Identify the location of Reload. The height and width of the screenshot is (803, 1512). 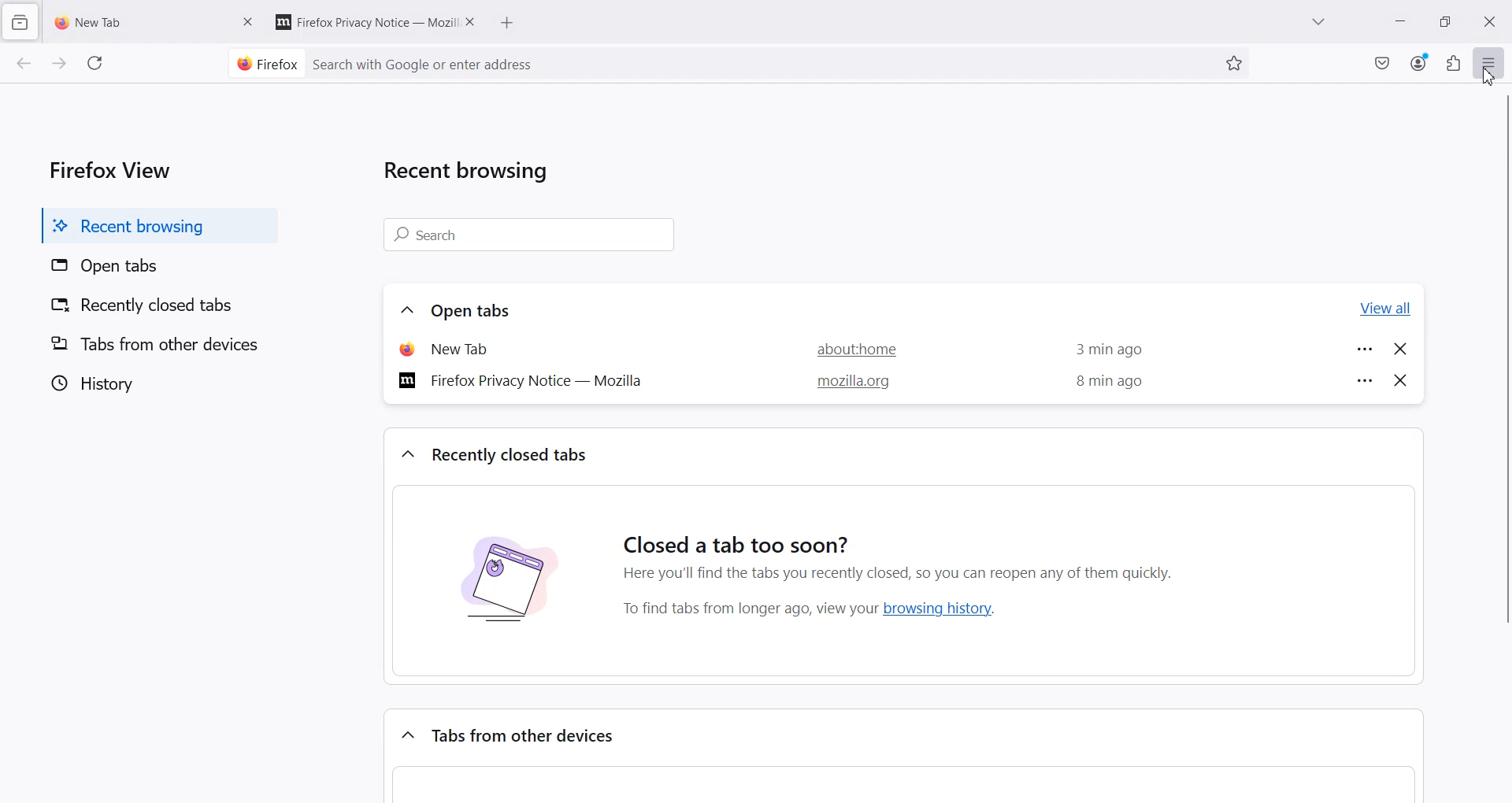
(97, 63).